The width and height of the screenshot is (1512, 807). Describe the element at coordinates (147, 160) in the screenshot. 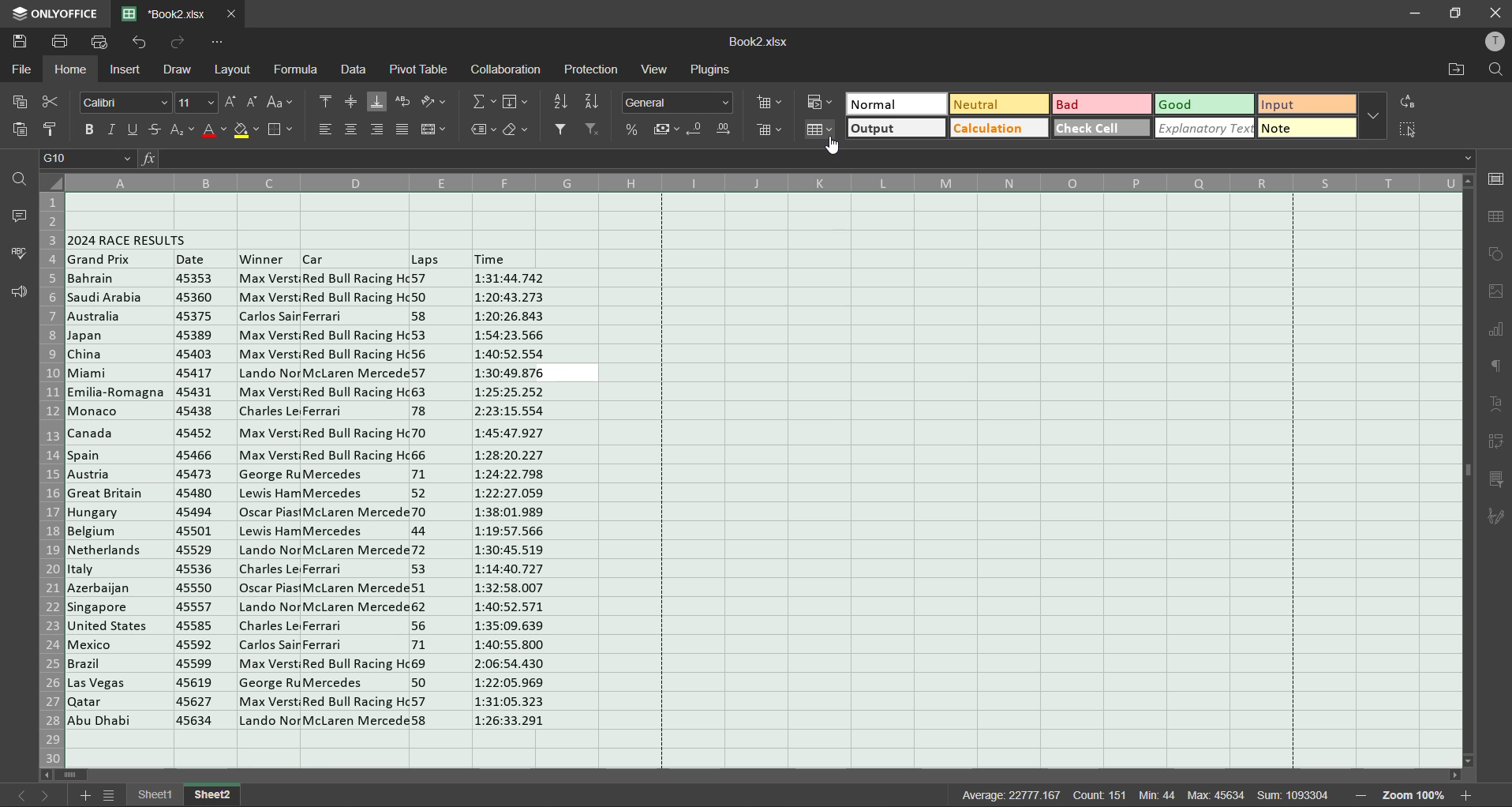

I see `fx` at that location.